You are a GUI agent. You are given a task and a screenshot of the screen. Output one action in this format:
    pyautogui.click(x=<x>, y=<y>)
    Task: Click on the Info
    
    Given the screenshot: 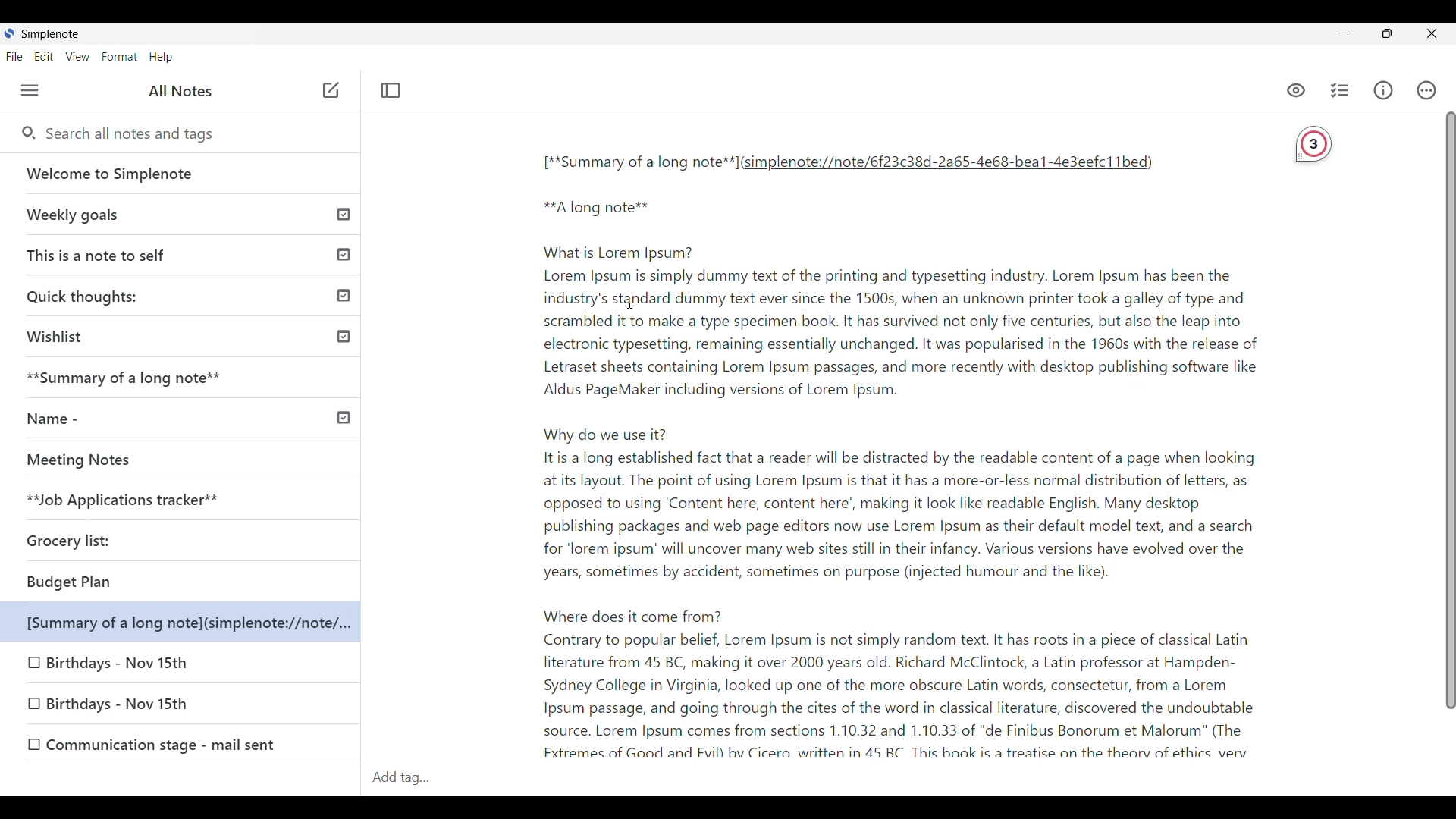 What is the action you would take?
    pyautogui.click(x=1383, y=90)
    